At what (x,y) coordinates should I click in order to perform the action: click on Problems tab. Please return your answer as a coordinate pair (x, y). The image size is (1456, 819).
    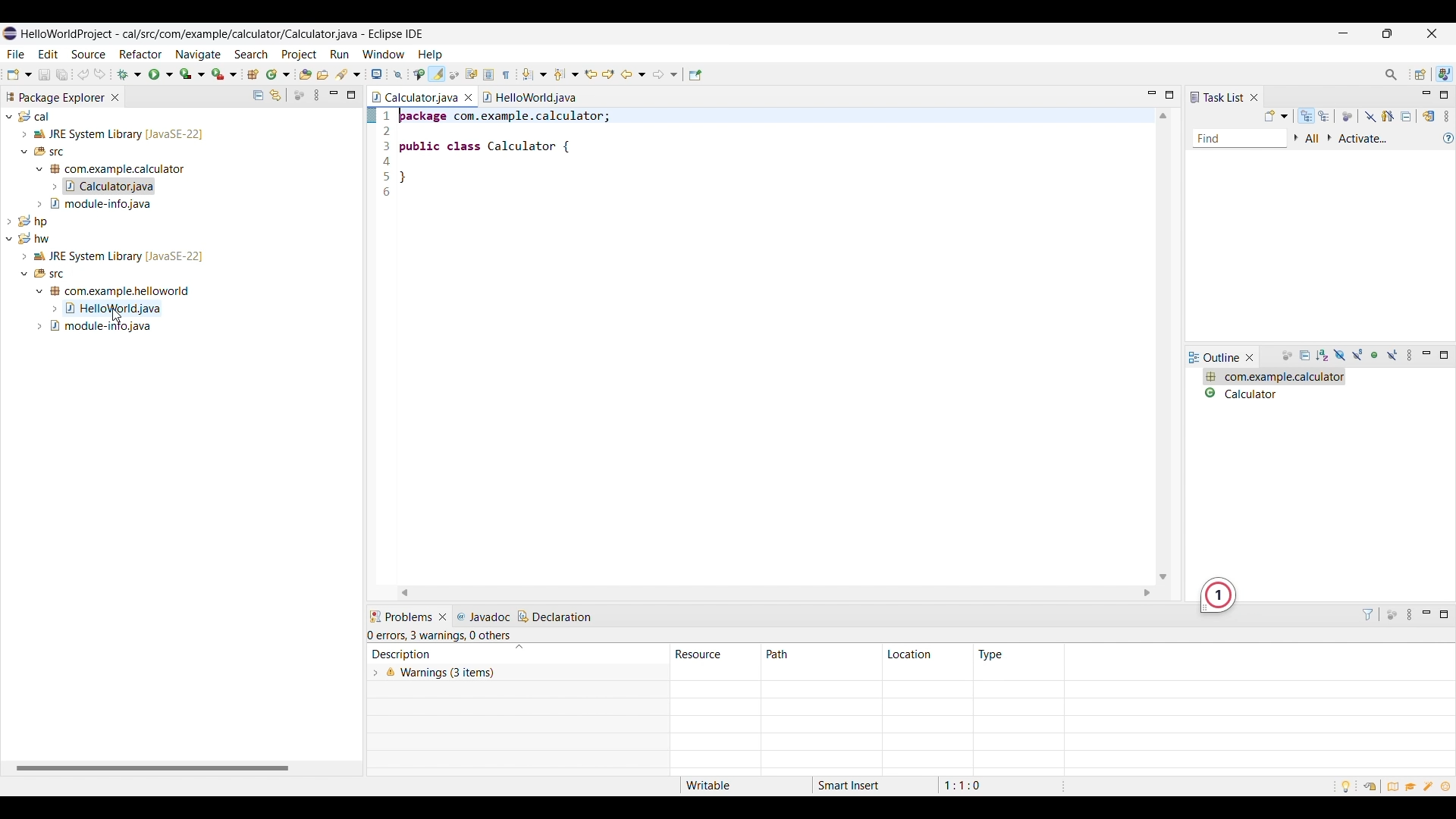
    Looking at the image, I should click on (400, 617).